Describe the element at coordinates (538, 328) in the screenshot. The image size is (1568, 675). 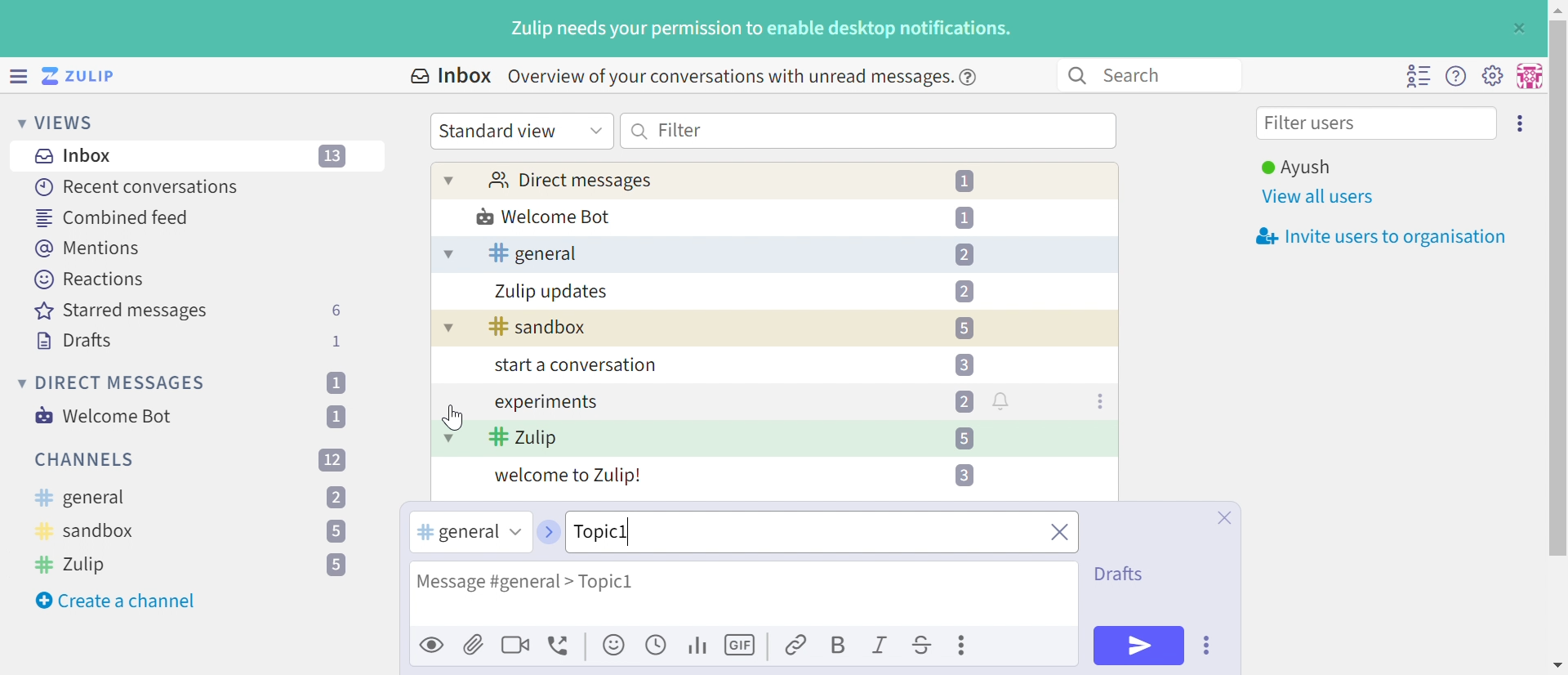
I see `sandbox` at that location.